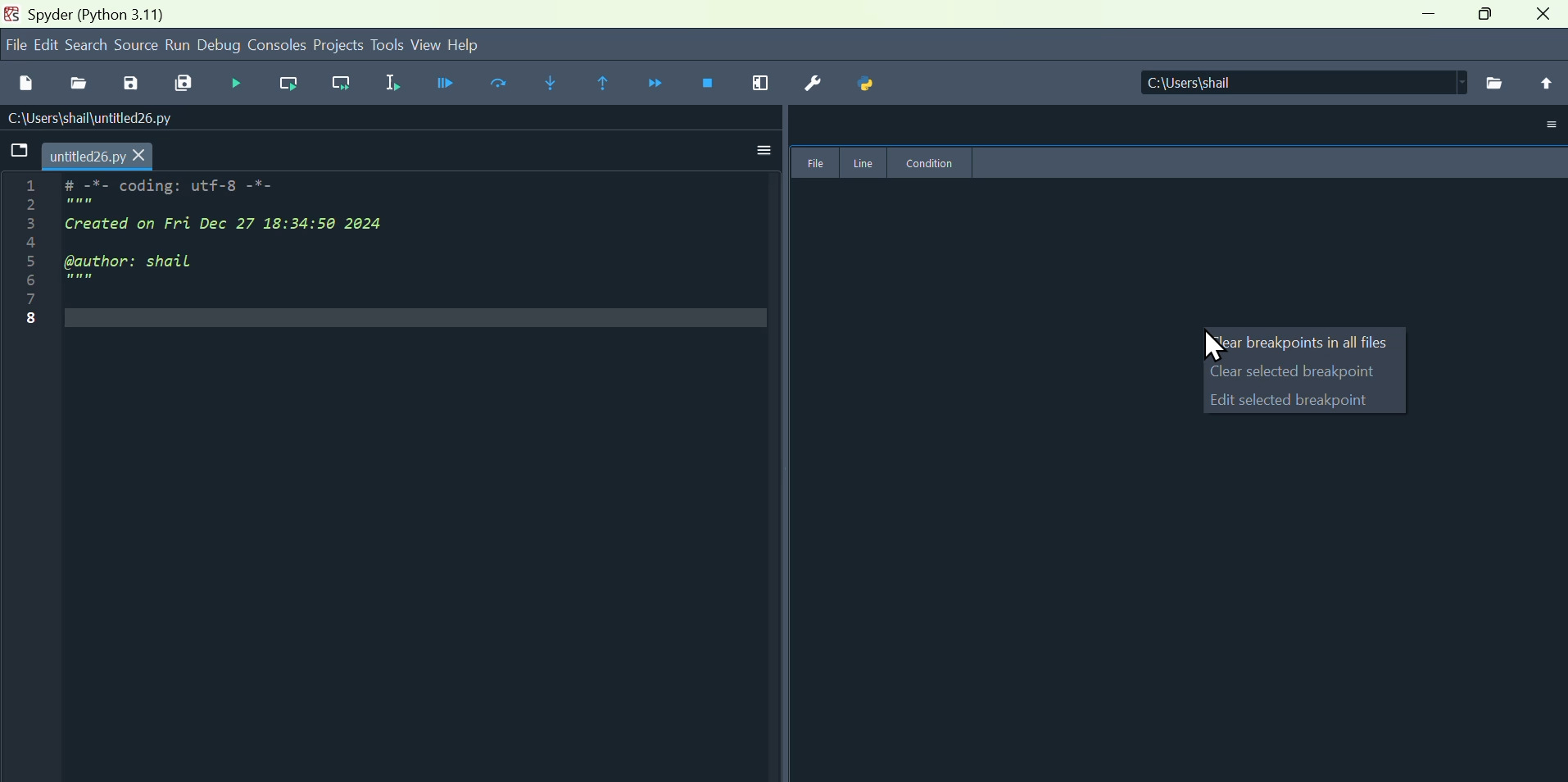  Describe the element at coordinates (1430, 14) in the screenshot. I see `minimize` at that location.